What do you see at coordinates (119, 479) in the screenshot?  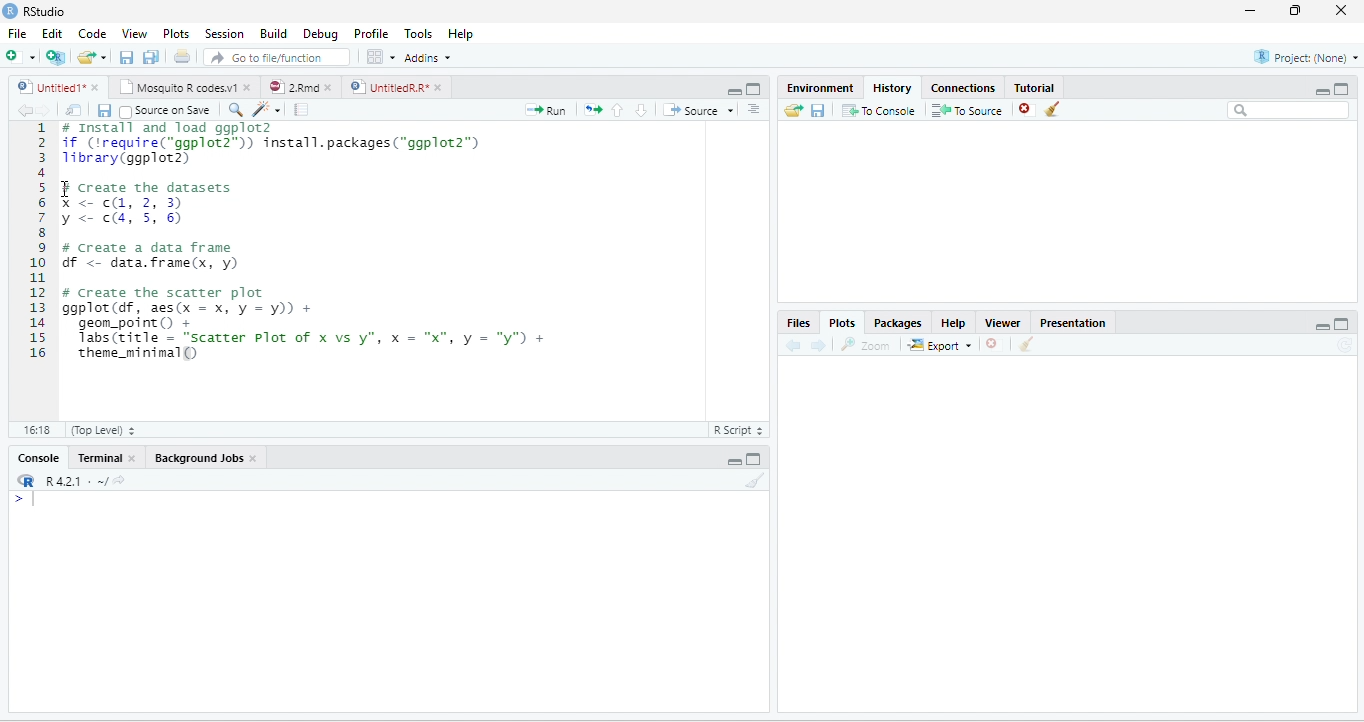 I see `View the current working directory` at bounding box center [119, 479].